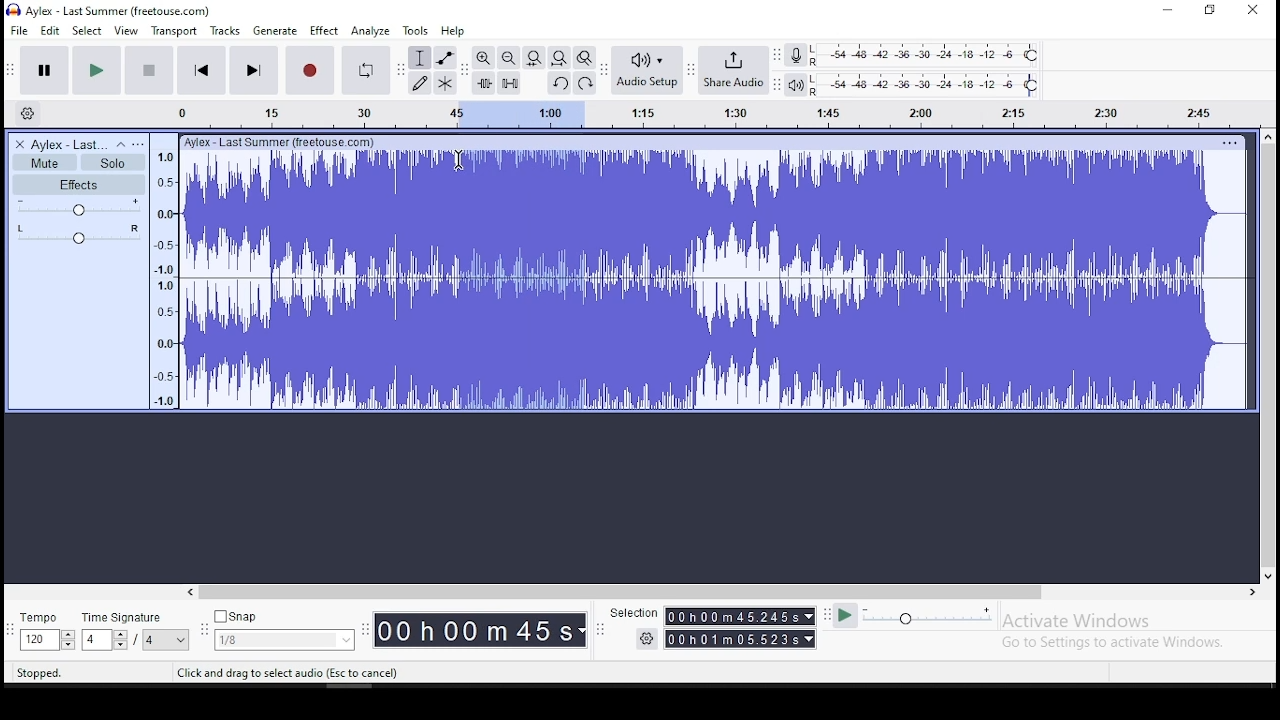  Describe the element at coordinates (50, 31) in the screenshot. I see `edit` at that location.